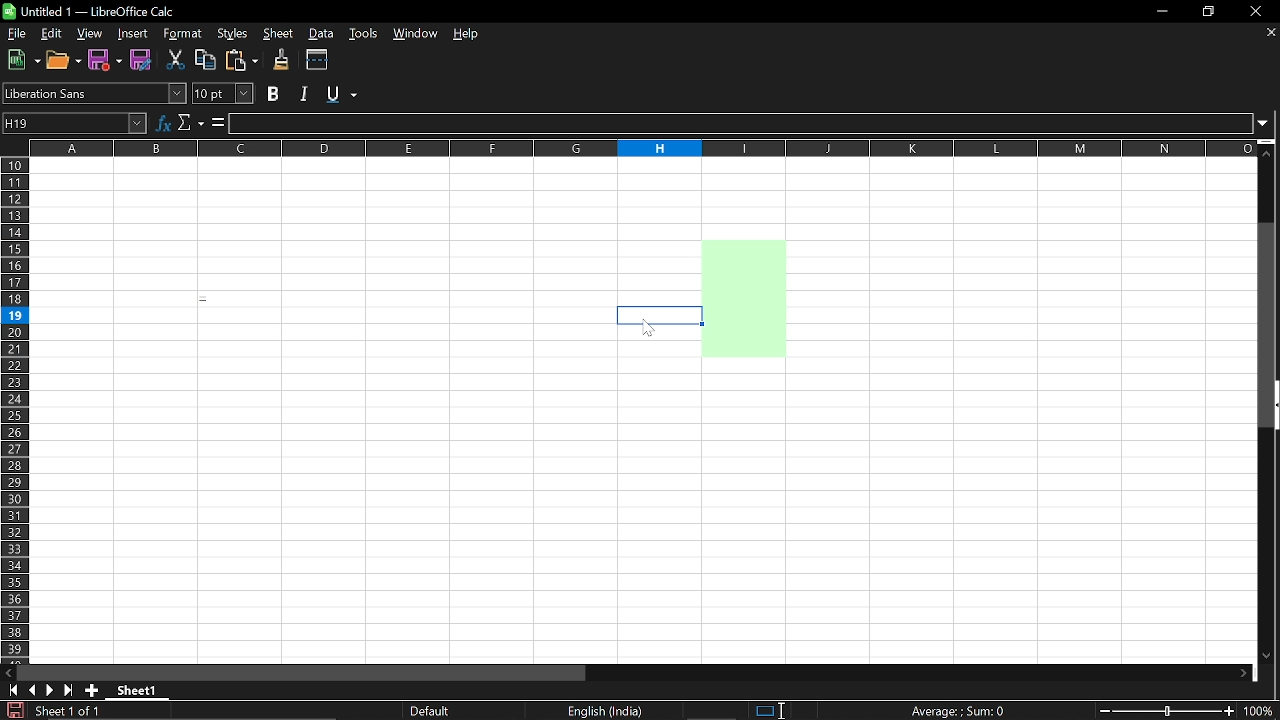 The image size is (1280, 720). Describe the element at coordinates (364, 231) in the screenshot. I see `Fillable cells` at that location.